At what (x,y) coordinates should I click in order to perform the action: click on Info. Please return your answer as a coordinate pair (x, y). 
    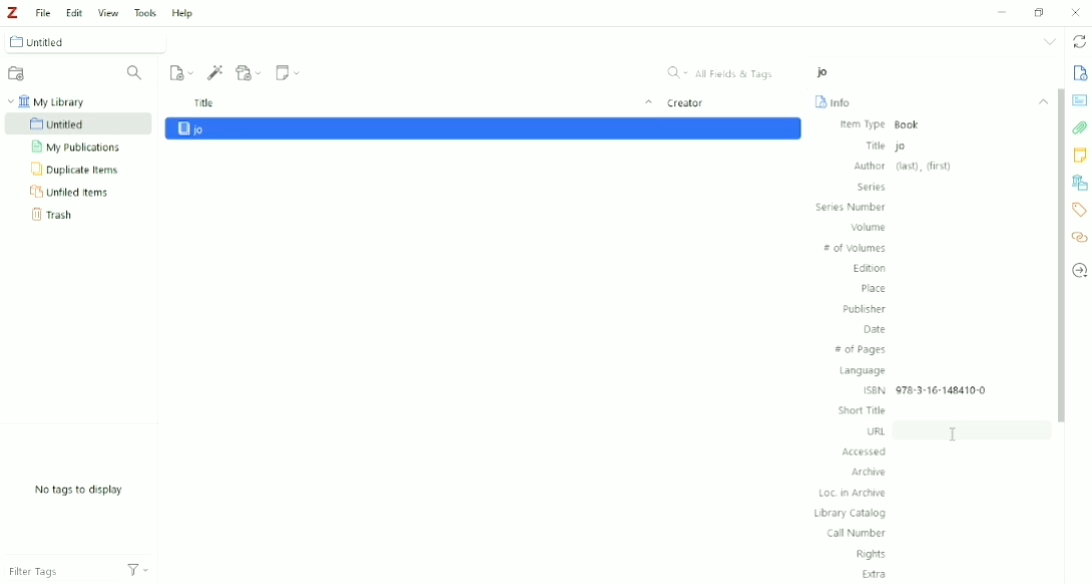
    Looking at the image, I should click on (833, 102).